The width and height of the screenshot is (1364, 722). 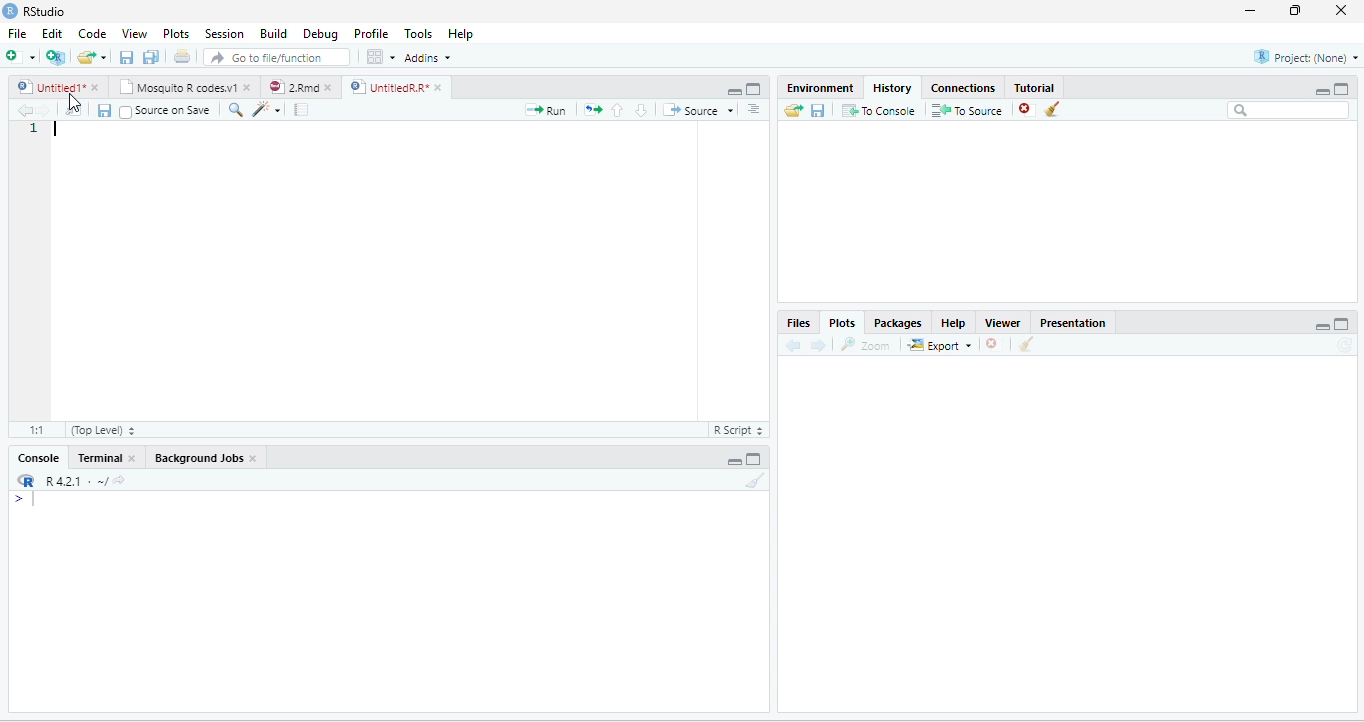 I want to click on R, so click(x=25, y=480).